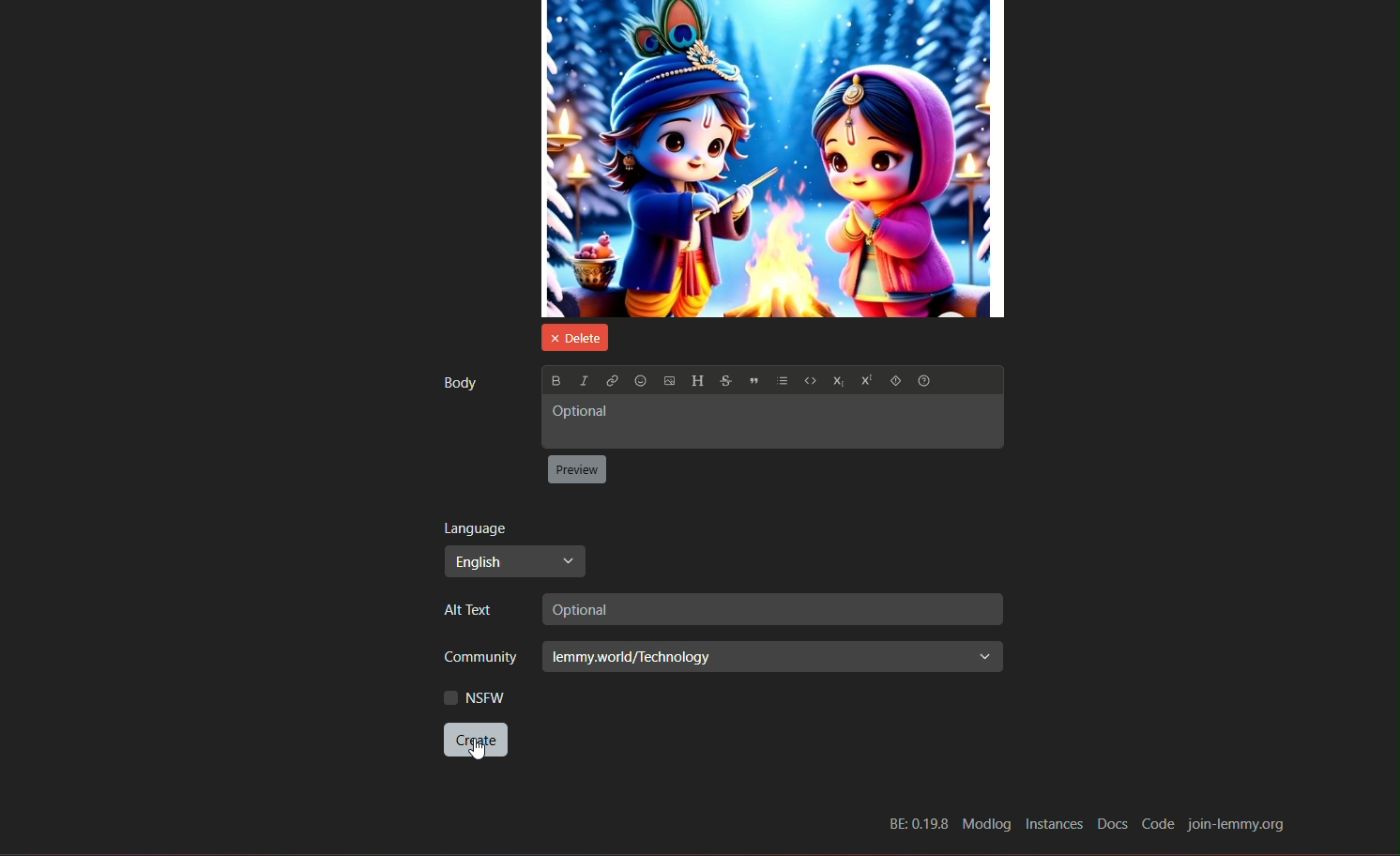 This screenshot has width=1400, height=856. I want to click on emoji, so click(640, 381).